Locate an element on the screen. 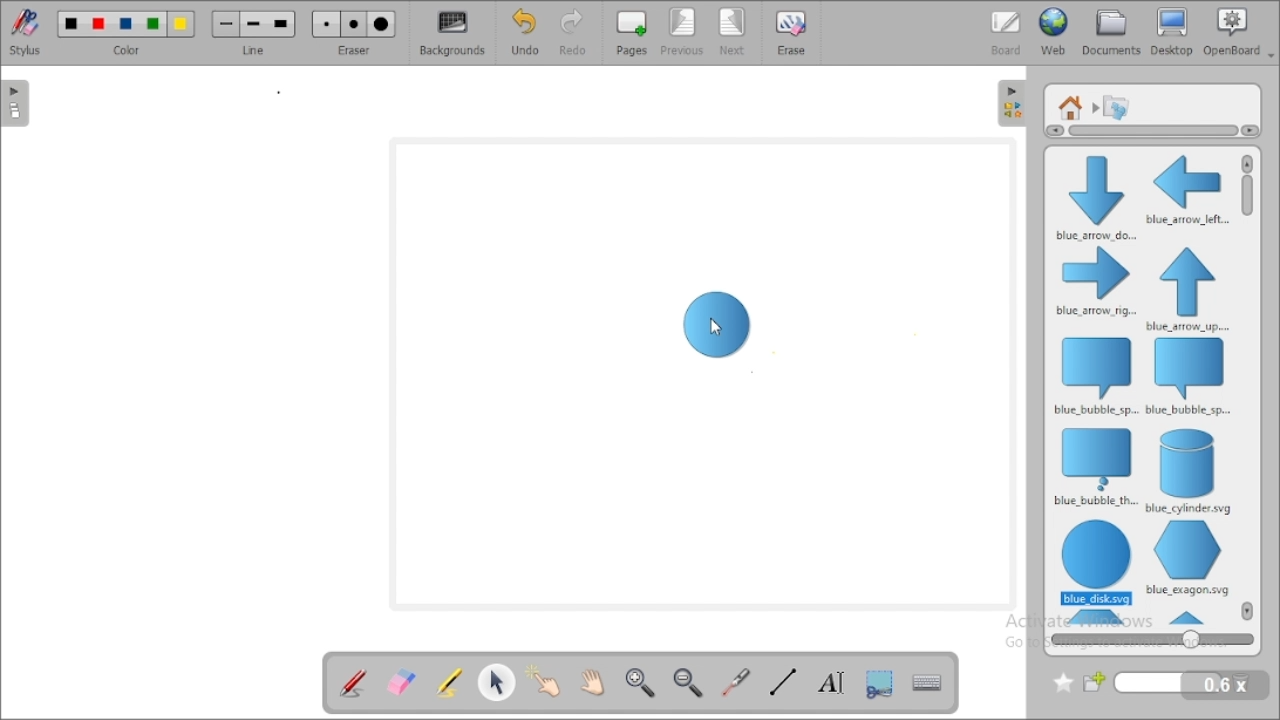 The height and width of the screenshot is (720, 1280). root is located at coordinates (1071, 107).